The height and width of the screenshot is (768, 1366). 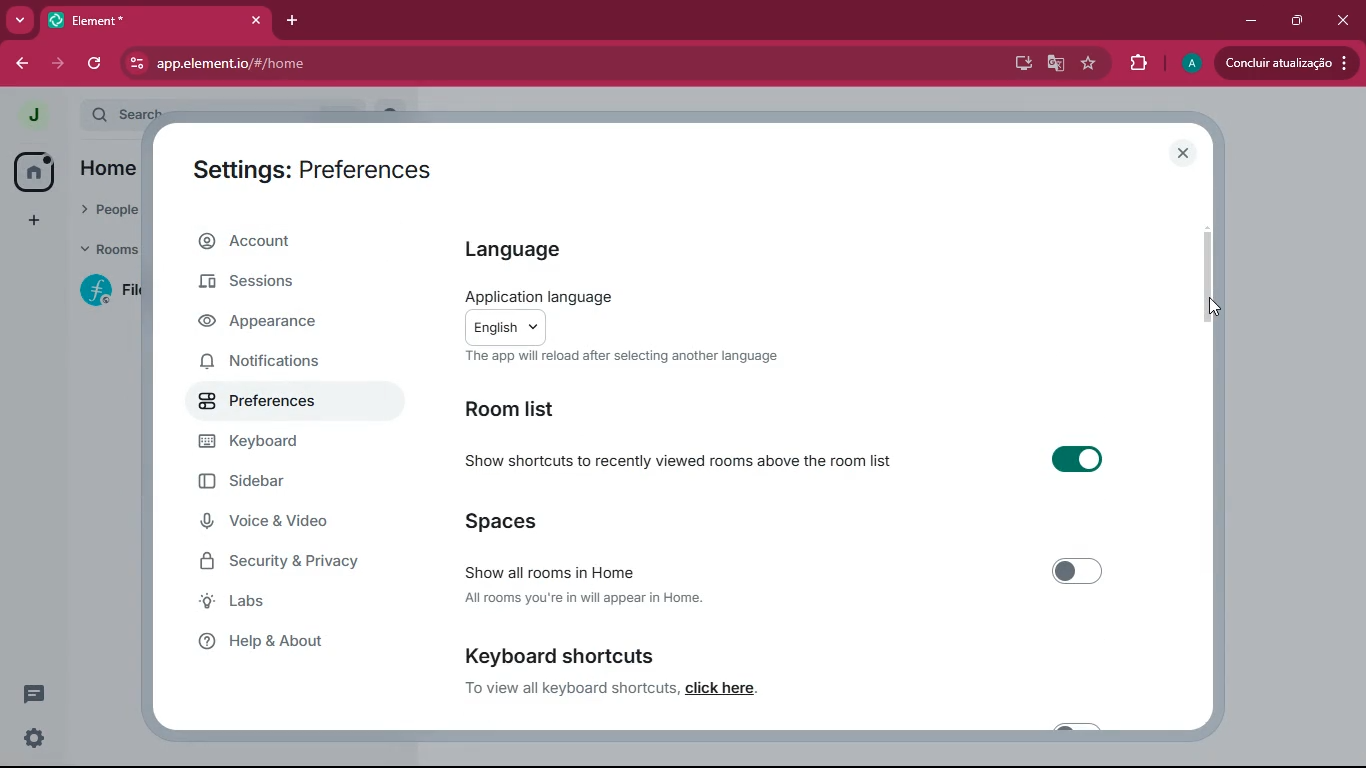 What do you see at coordinates (572, 688) in the screenshot?
I see `to view all keyboard shortcuts,` at bounding box center [572, 688].